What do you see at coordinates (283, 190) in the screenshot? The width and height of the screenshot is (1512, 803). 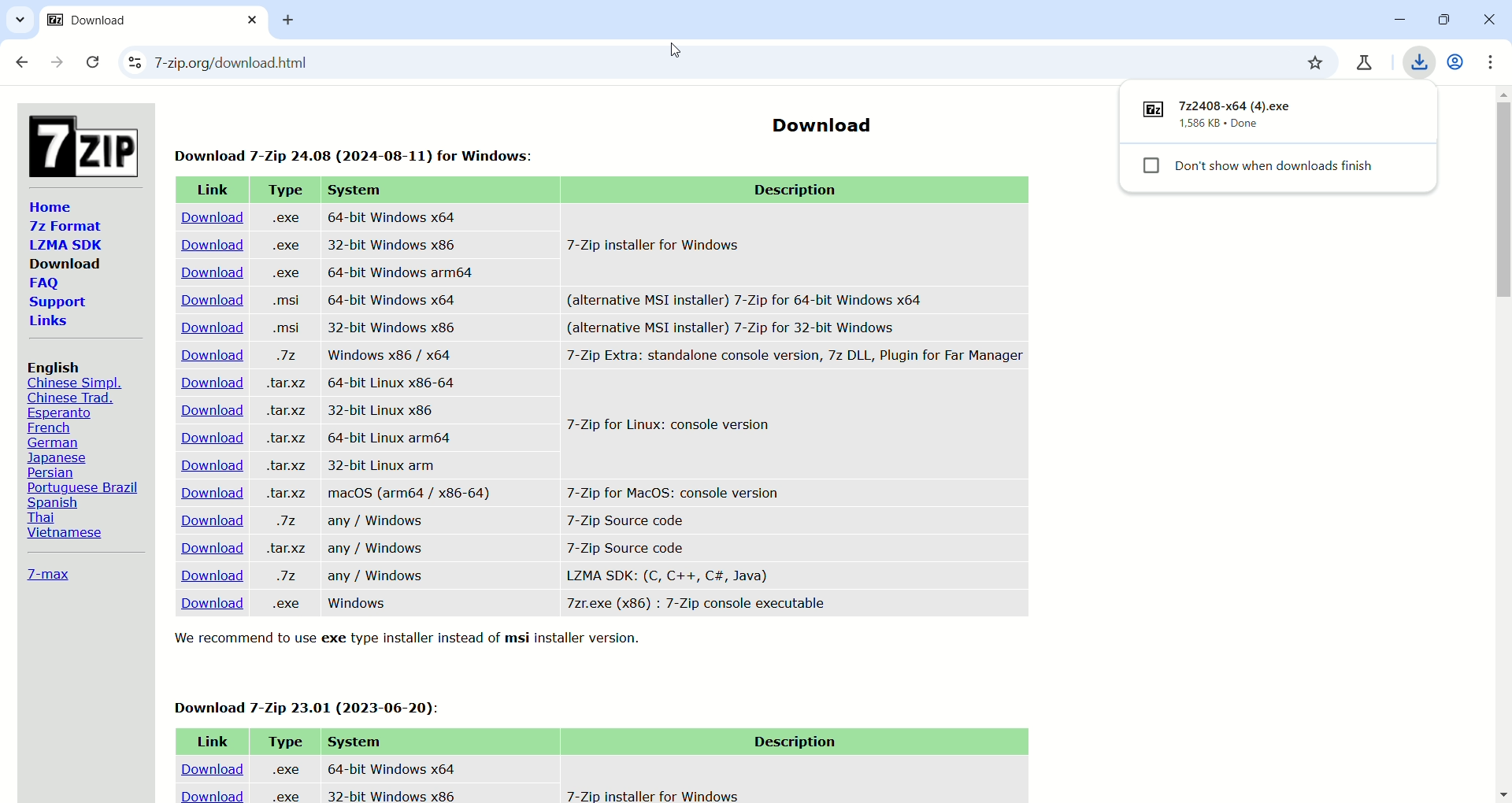 I see `Type` at bounding box center [283, 190].